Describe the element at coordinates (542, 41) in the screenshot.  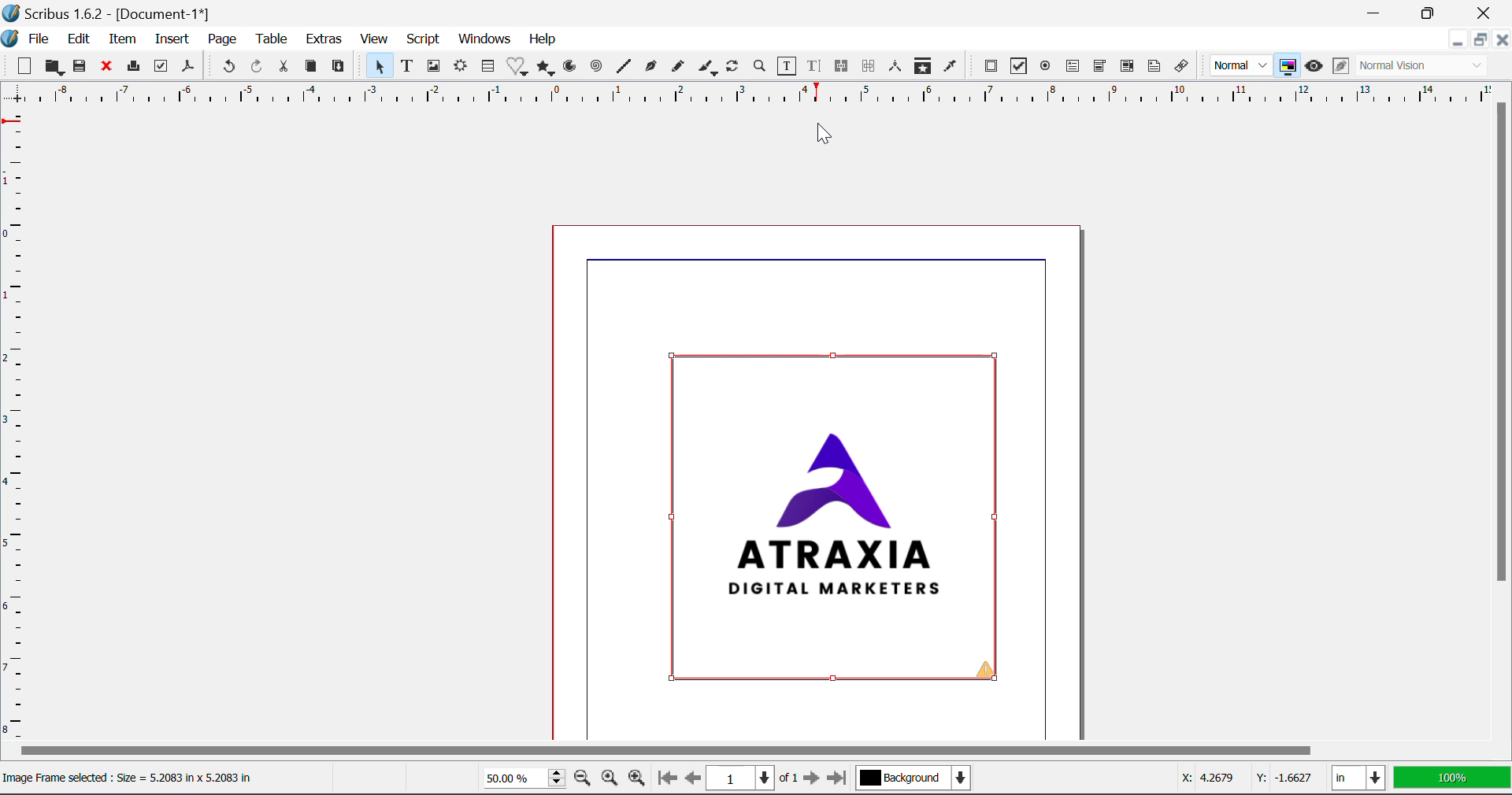
I see `Help` at that location.